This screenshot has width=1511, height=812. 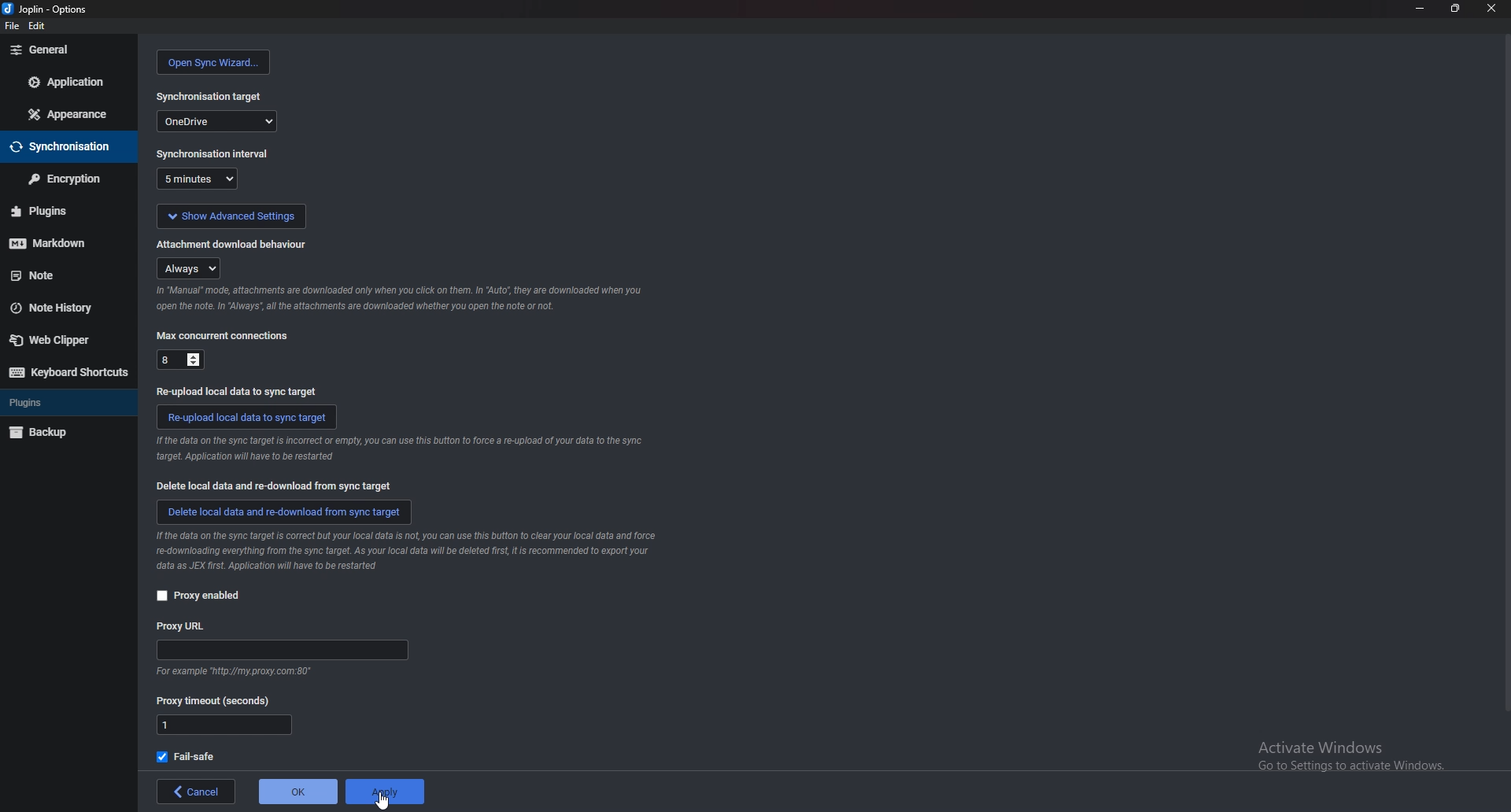 I want to click on plugins, so click(x=60, y=213).